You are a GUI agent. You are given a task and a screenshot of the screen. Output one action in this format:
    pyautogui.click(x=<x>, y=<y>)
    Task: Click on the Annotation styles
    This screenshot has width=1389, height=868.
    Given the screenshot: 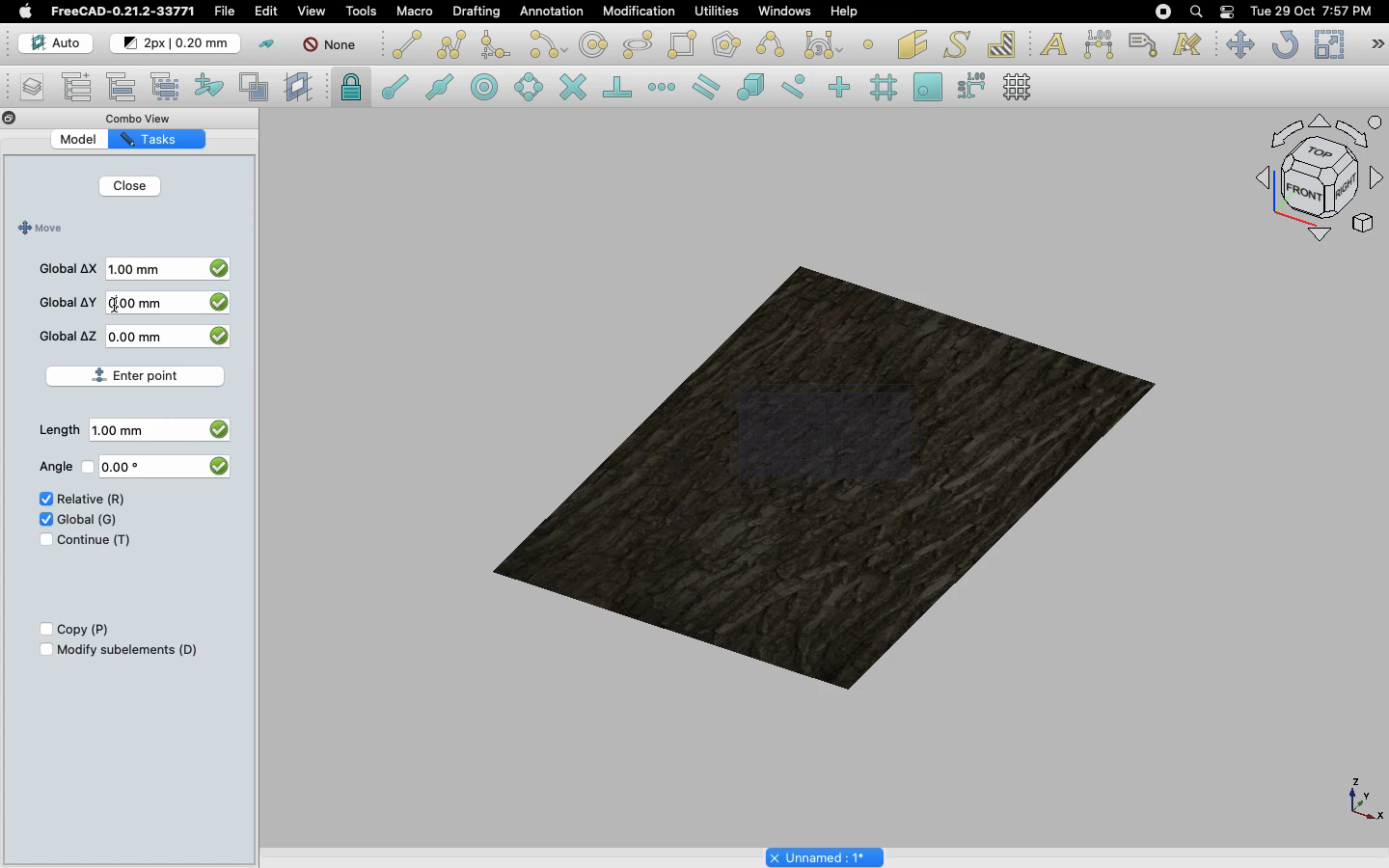 What is the action you would take?
    pyautogui.click(x=1188, y=44)
    